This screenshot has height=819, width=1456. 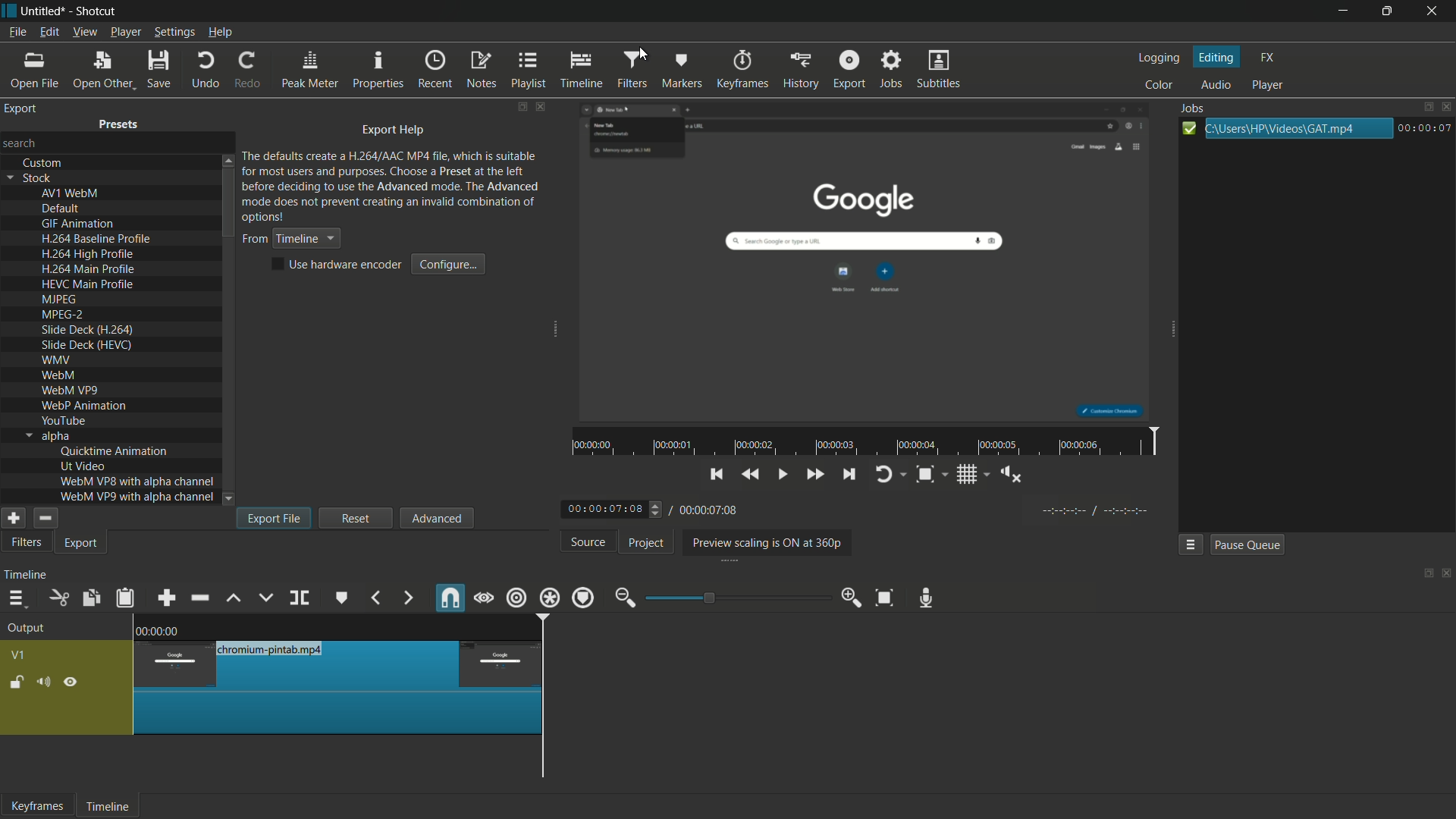 What do you see at coordinates (127, 31) in the screenshot?
I see `player menu` at bounding box center [127, 31].